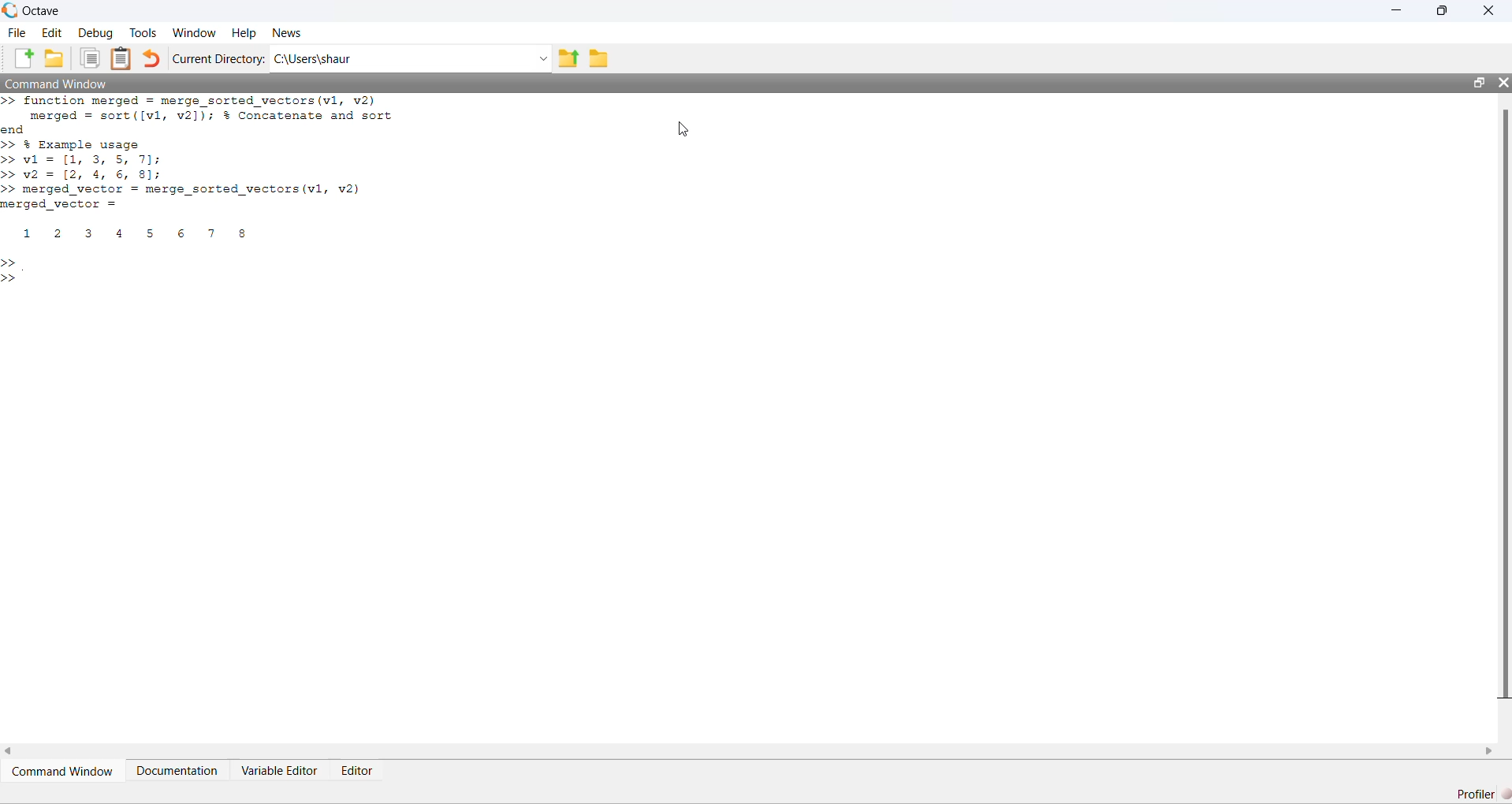 Image resolution: width=1512 pixels, height=804 pixels. I want to click on ‘Command Window, so click(63, 771).